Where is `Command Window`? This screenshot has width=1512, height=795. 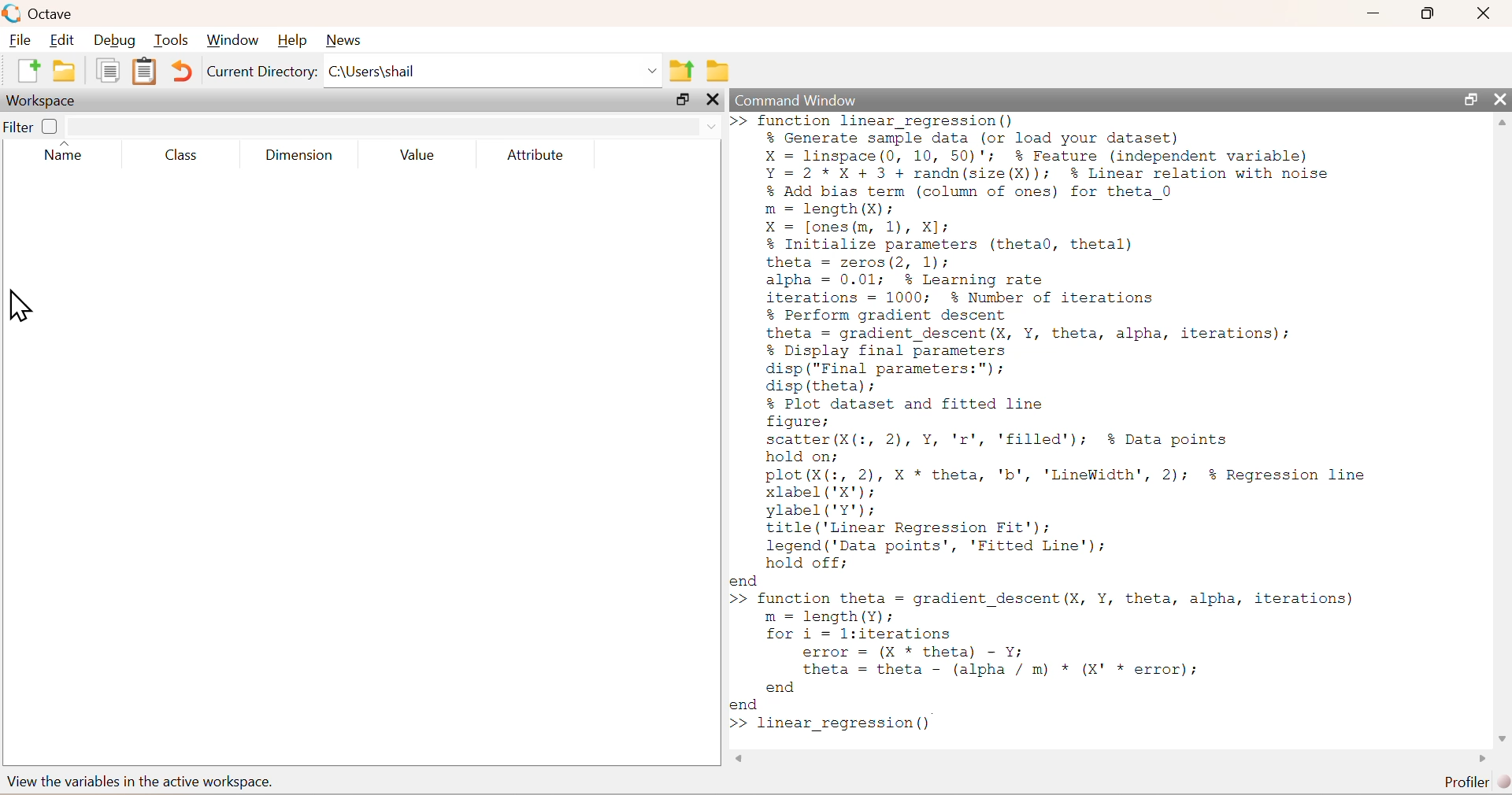
Command Window is located at coordinates (796, 100).